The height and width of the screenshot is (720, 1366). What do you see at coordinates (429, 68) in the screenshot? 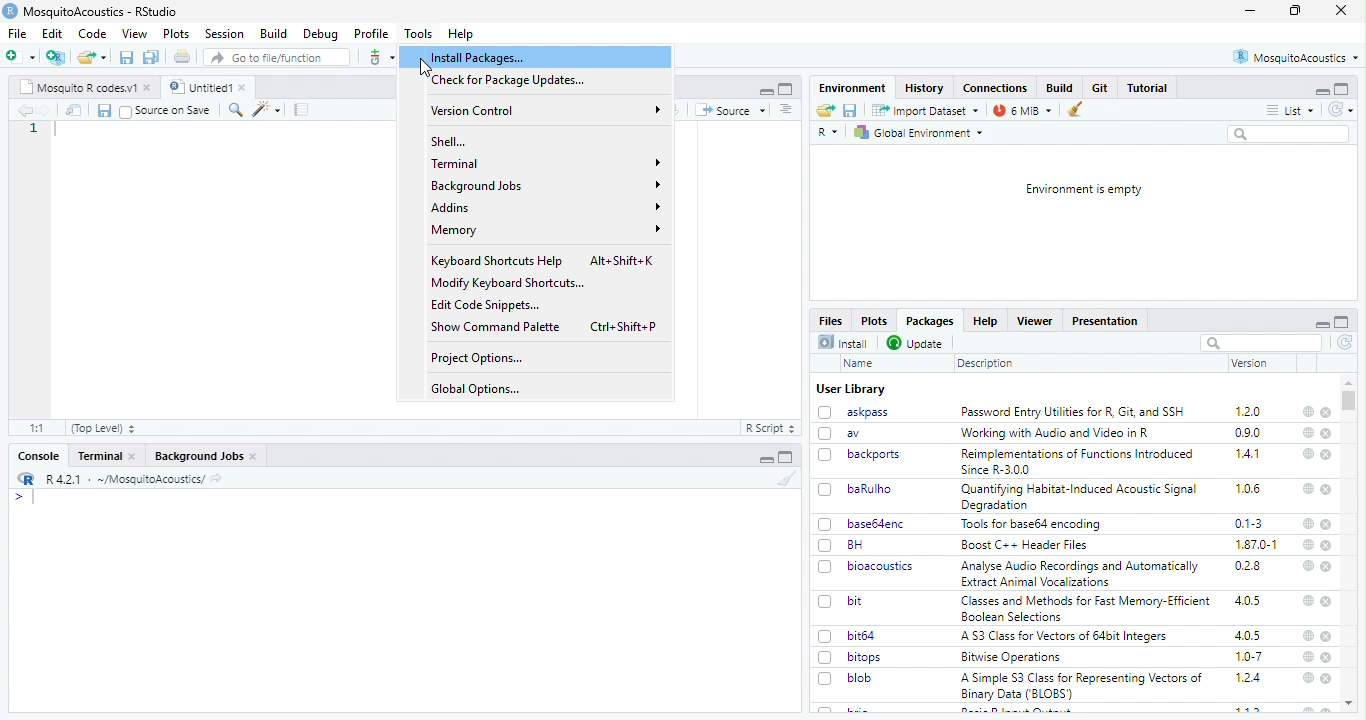
I see `cursor` at bounding box center [429, 68].